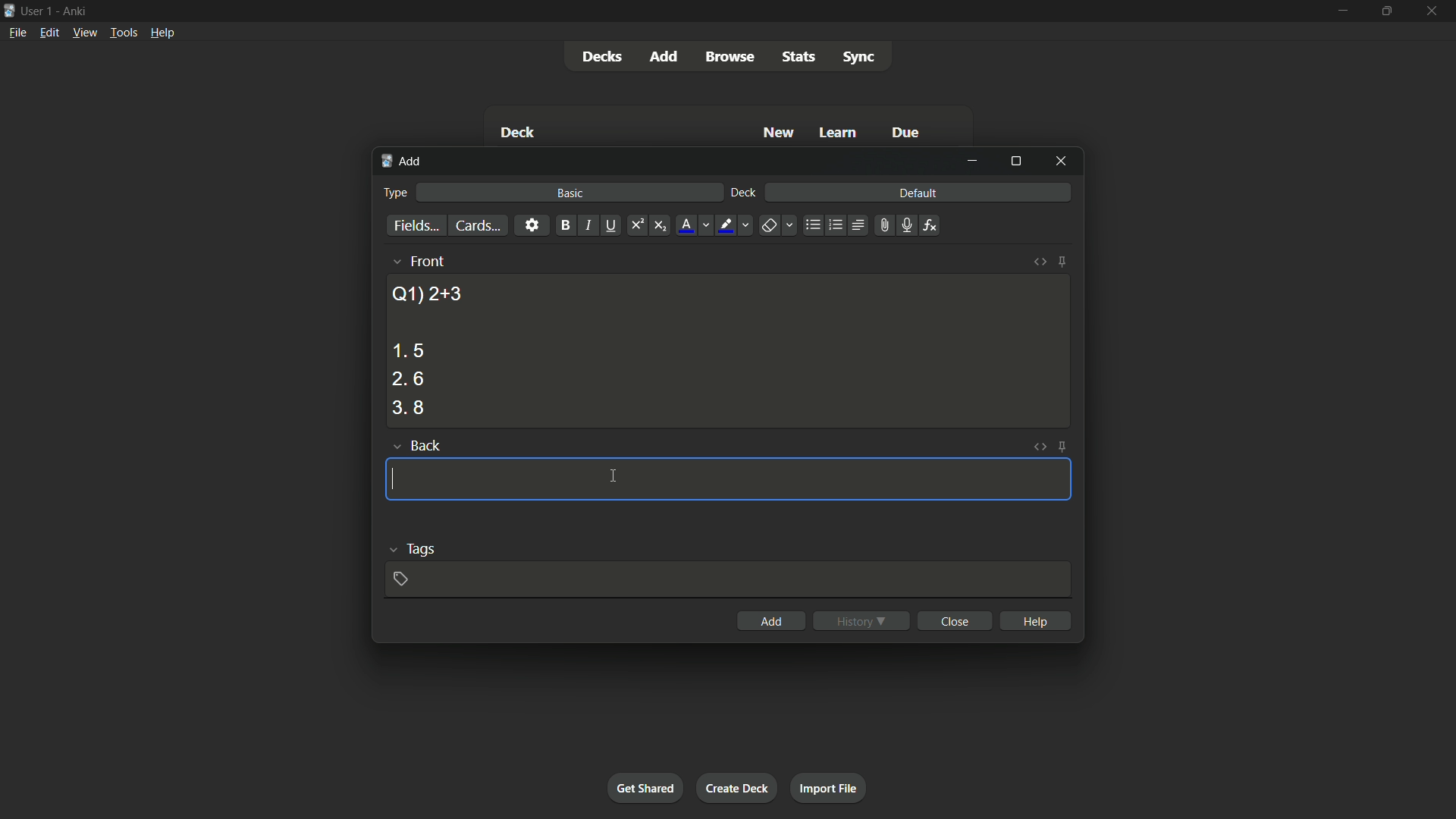 The width and height of the screenshot is (1456, 819). I want to click on cursor, so click(393, 477).